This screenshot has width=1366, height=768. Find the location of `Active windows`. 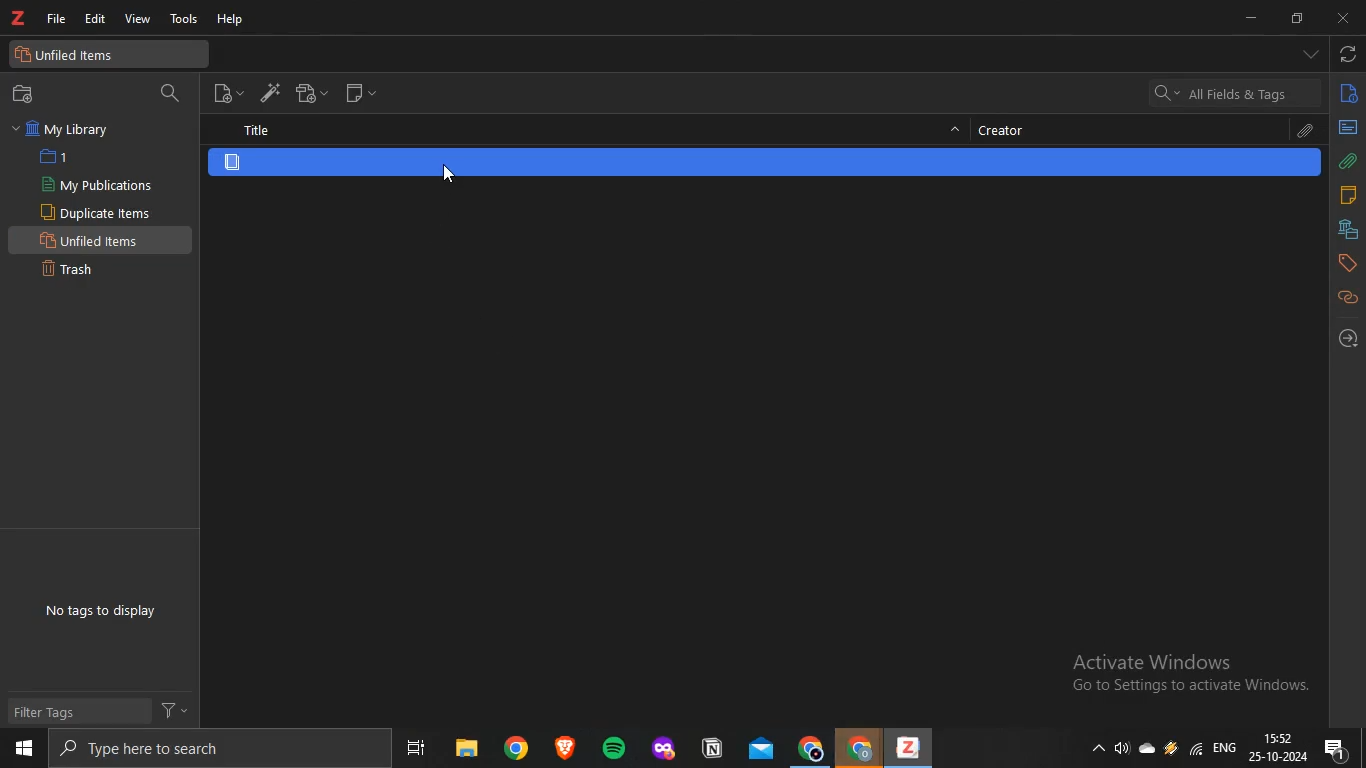

Active windows is located at coordinates (1181, 673).